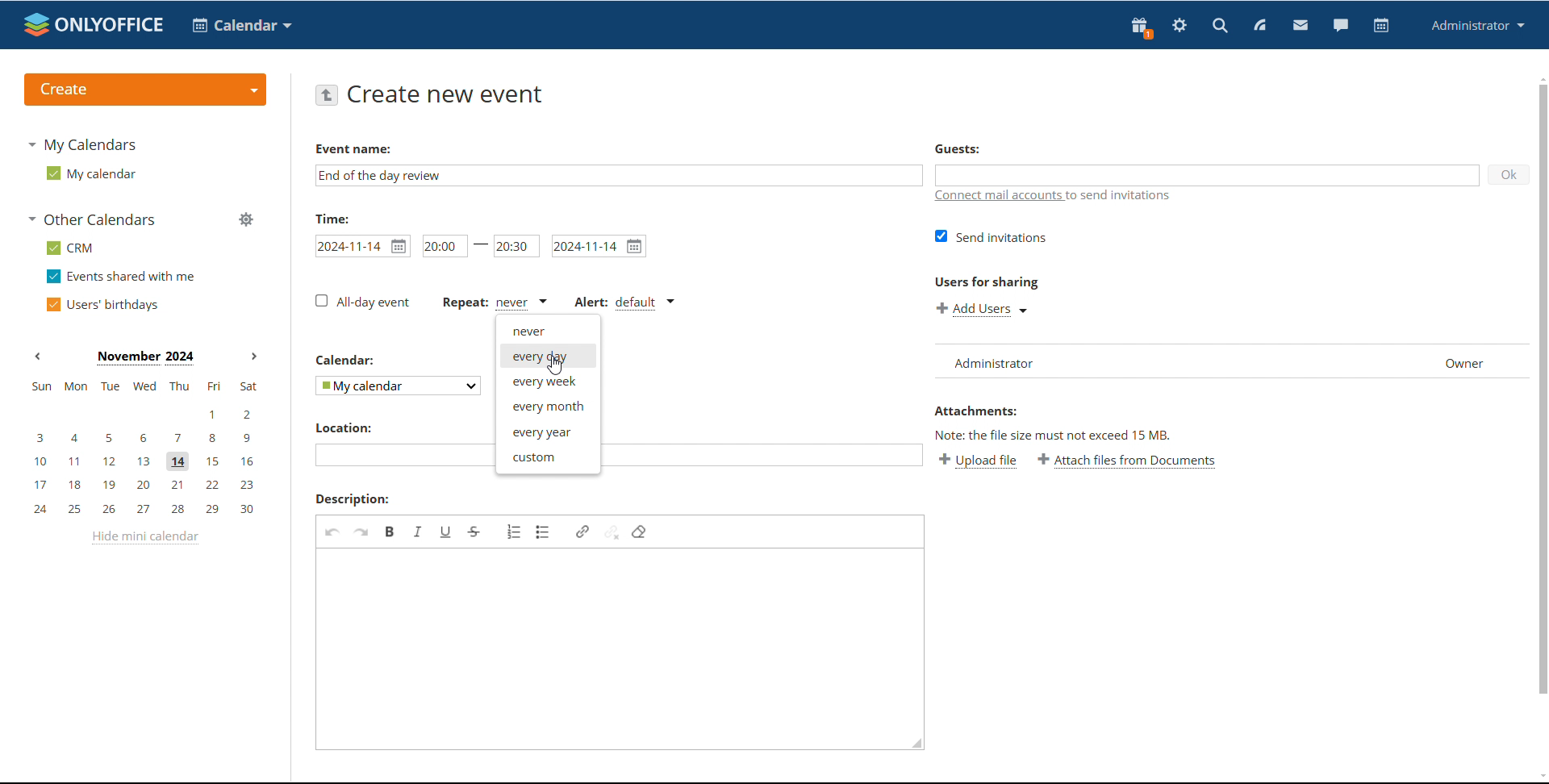  Describe the element at coordinates (101, 305) in the screenshot. I see `users' birthdays` at that location.